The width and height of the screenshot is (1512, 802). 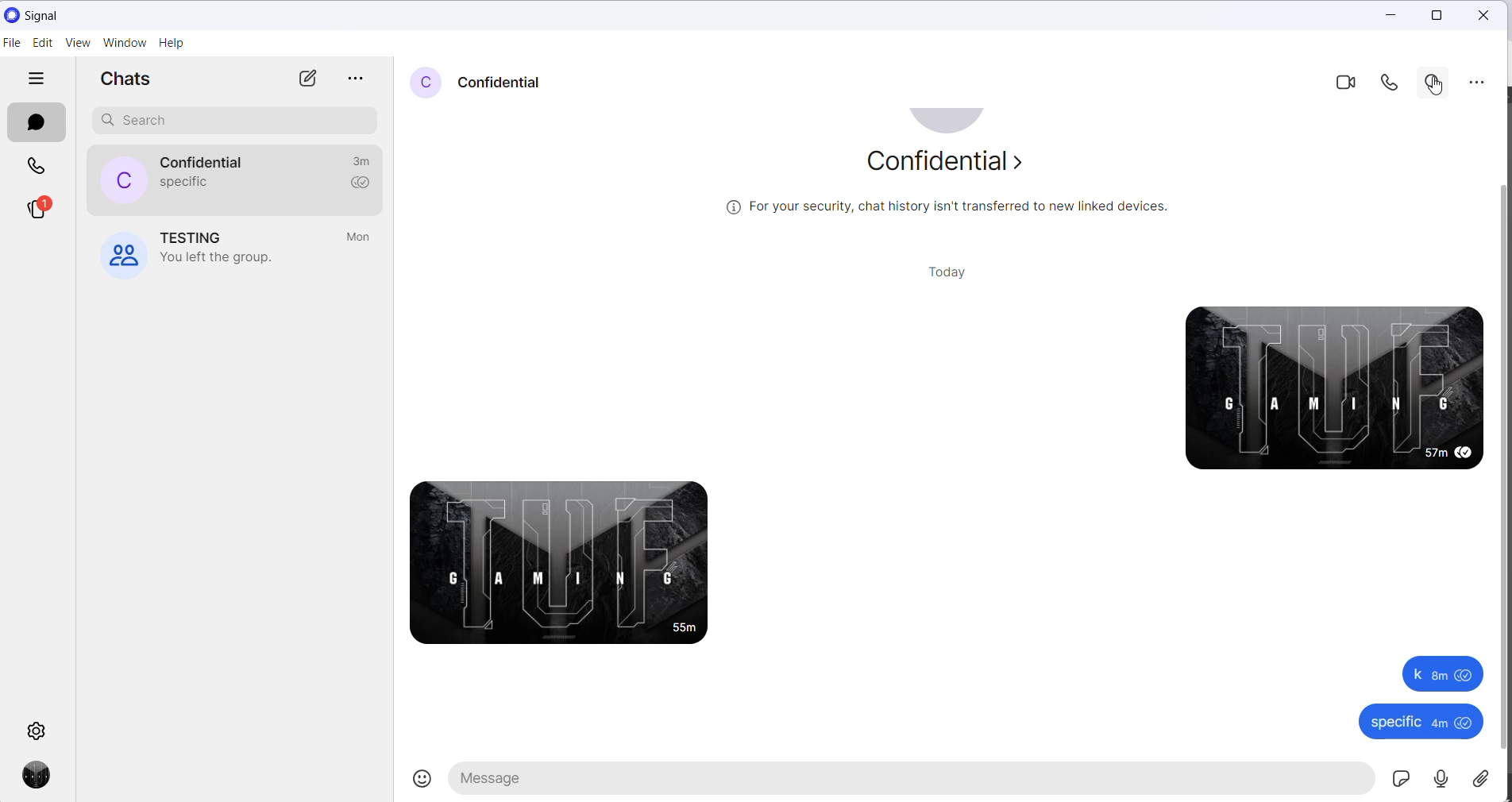 I want to click on emojis, so click(x=424, y=781).